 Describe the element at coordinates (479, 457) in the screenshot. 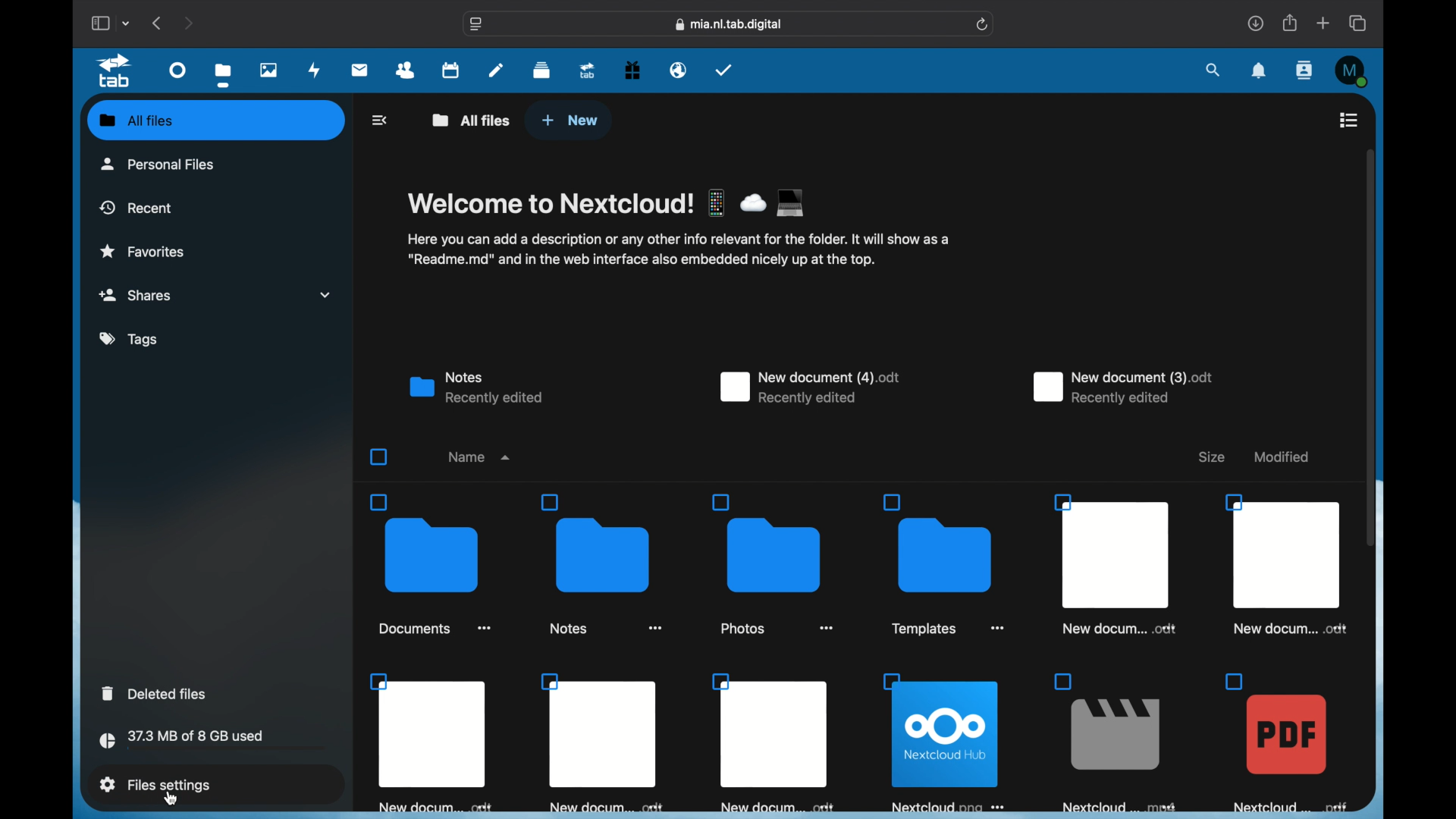

I see `name` at that location.